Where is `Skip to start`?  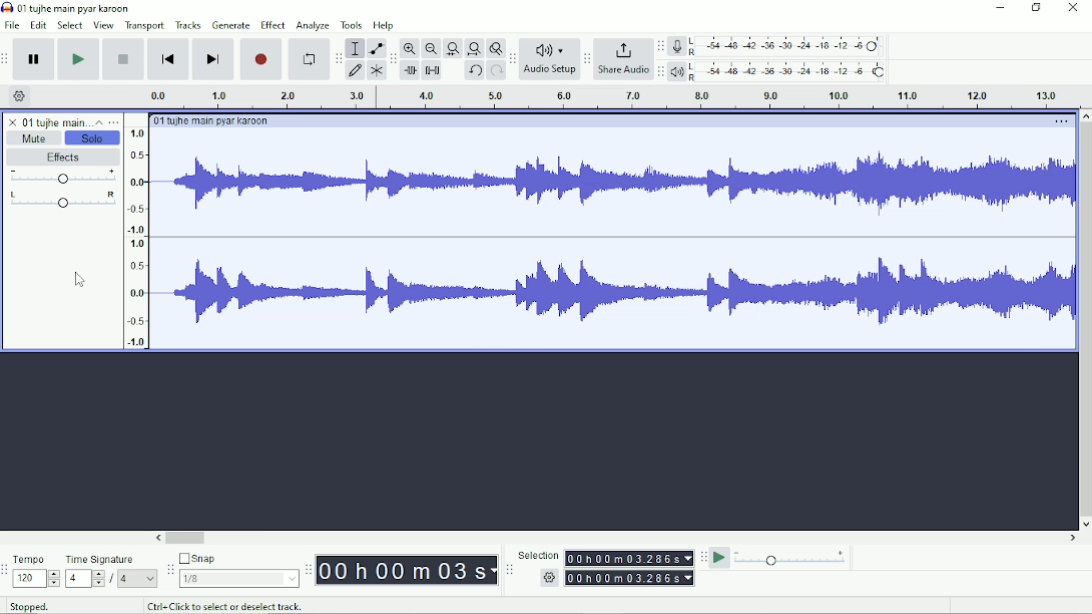 Skip to start is located at coordinates (168, 60).